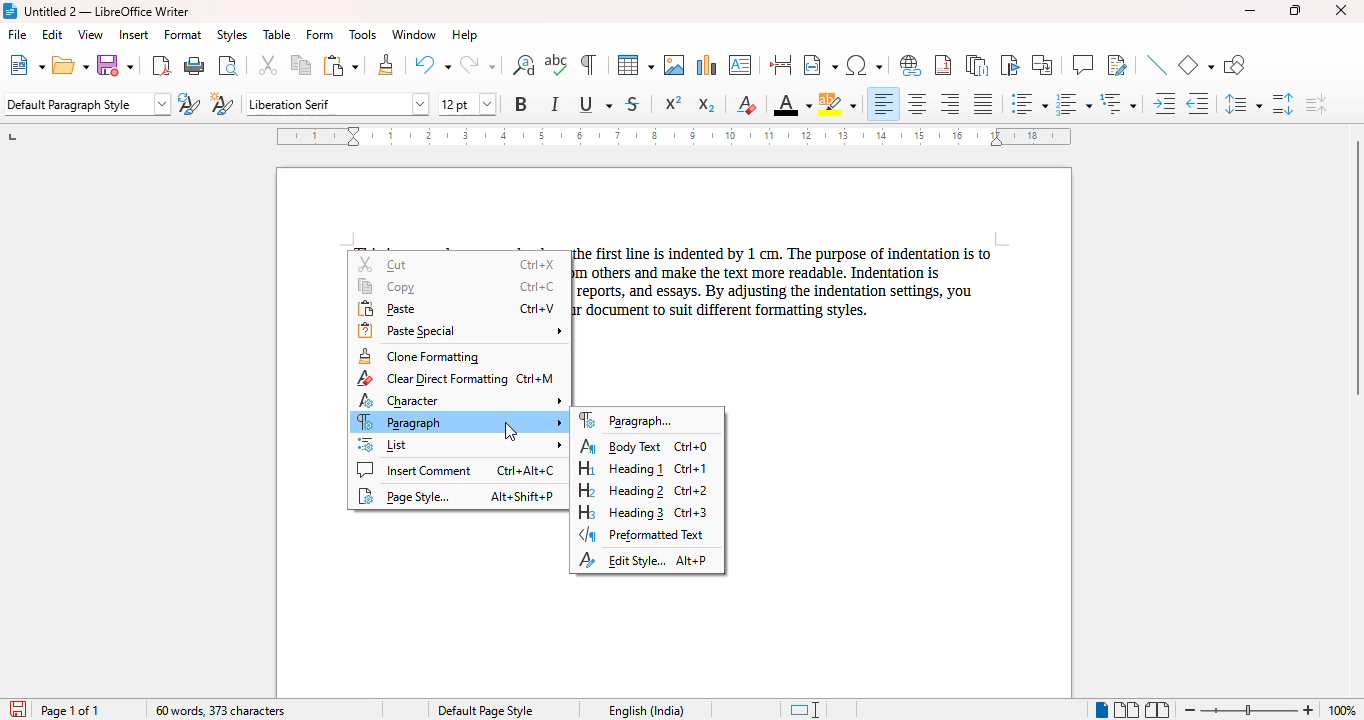 The width and height of the screenshot is (1364, 720). I want to click on multi-page view, so click(1127, 709).